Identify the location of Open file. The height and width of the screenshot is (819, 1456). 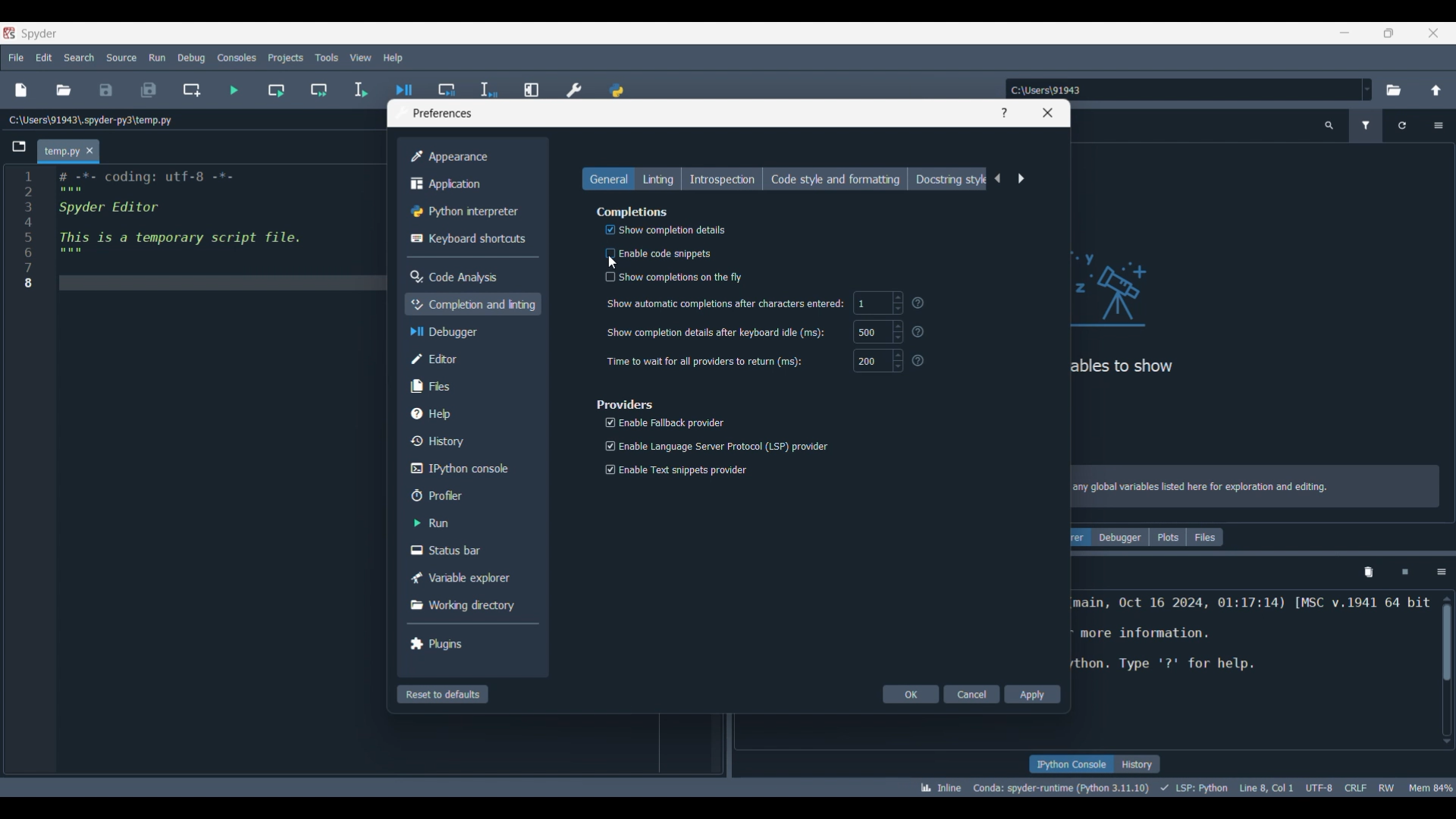
(63, 90).